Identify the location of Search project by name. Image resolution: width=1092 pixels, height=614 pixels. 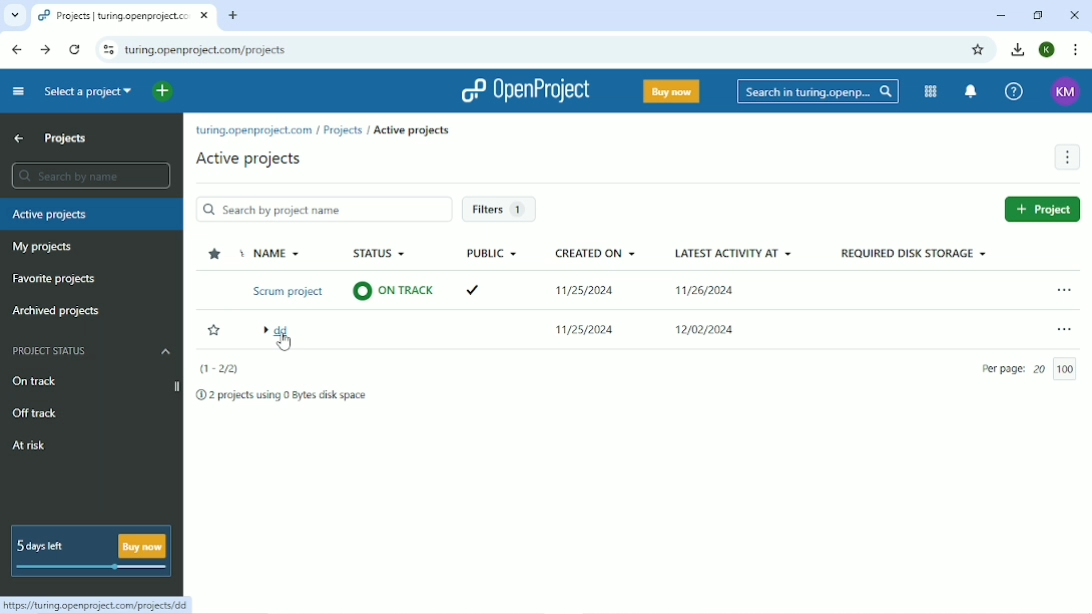
(324, 210).